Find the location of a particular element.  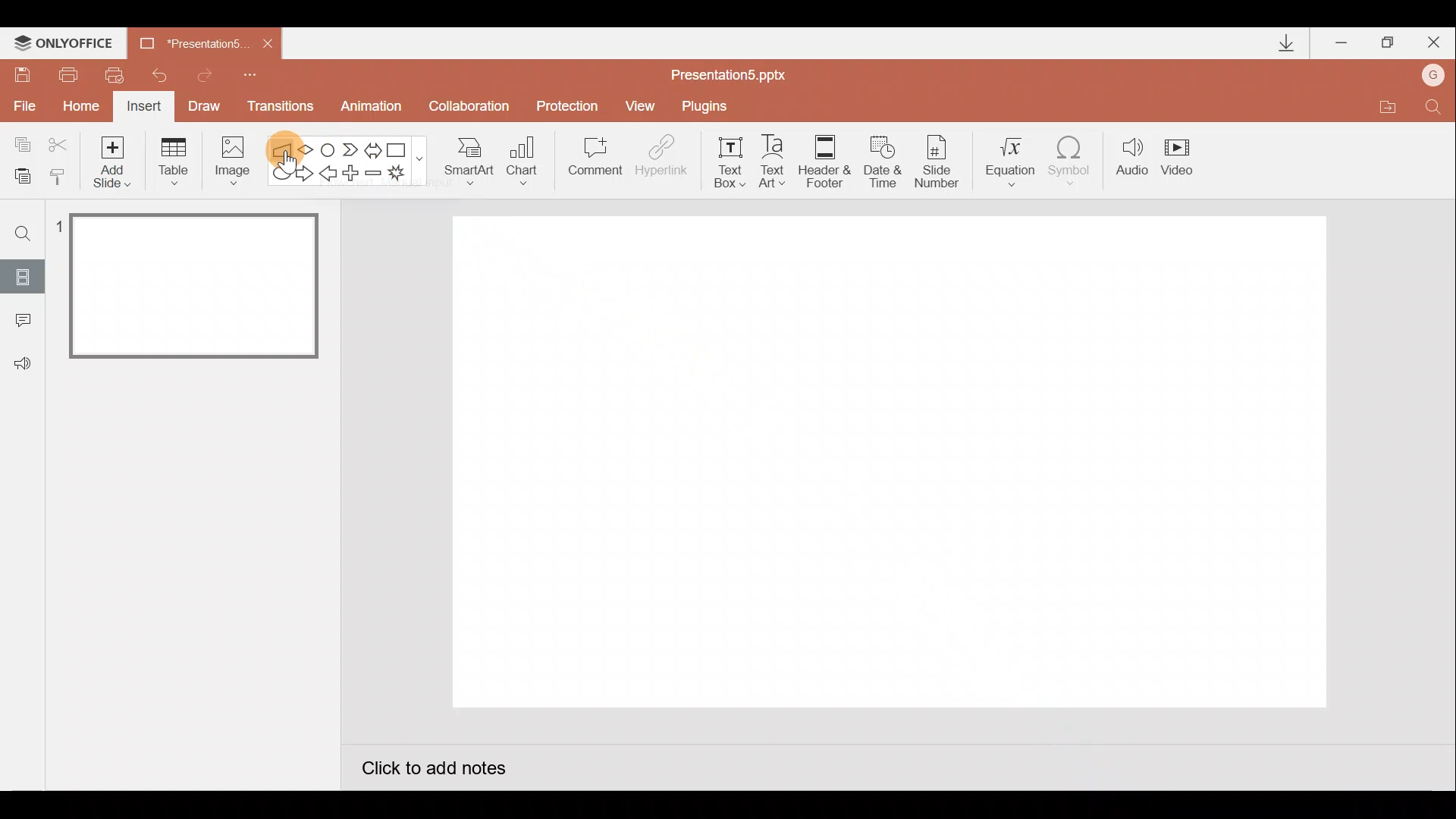

Right arrow is located at coordinates (306, 172).